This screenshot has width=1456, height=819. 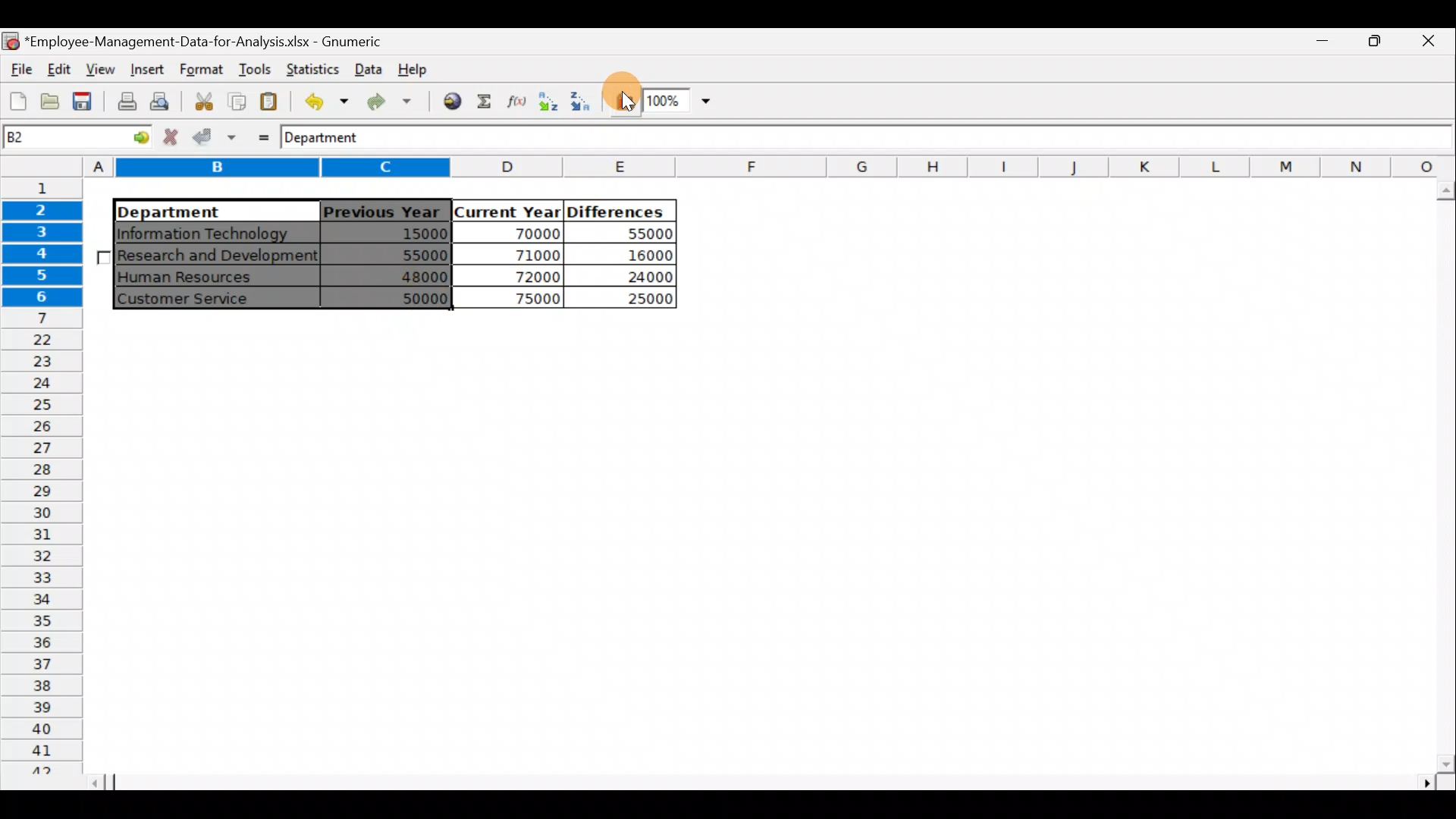 What do you see at coordinates (61, 67) in the screenshot?
I see `Edit` at bounding box center [61, 67].